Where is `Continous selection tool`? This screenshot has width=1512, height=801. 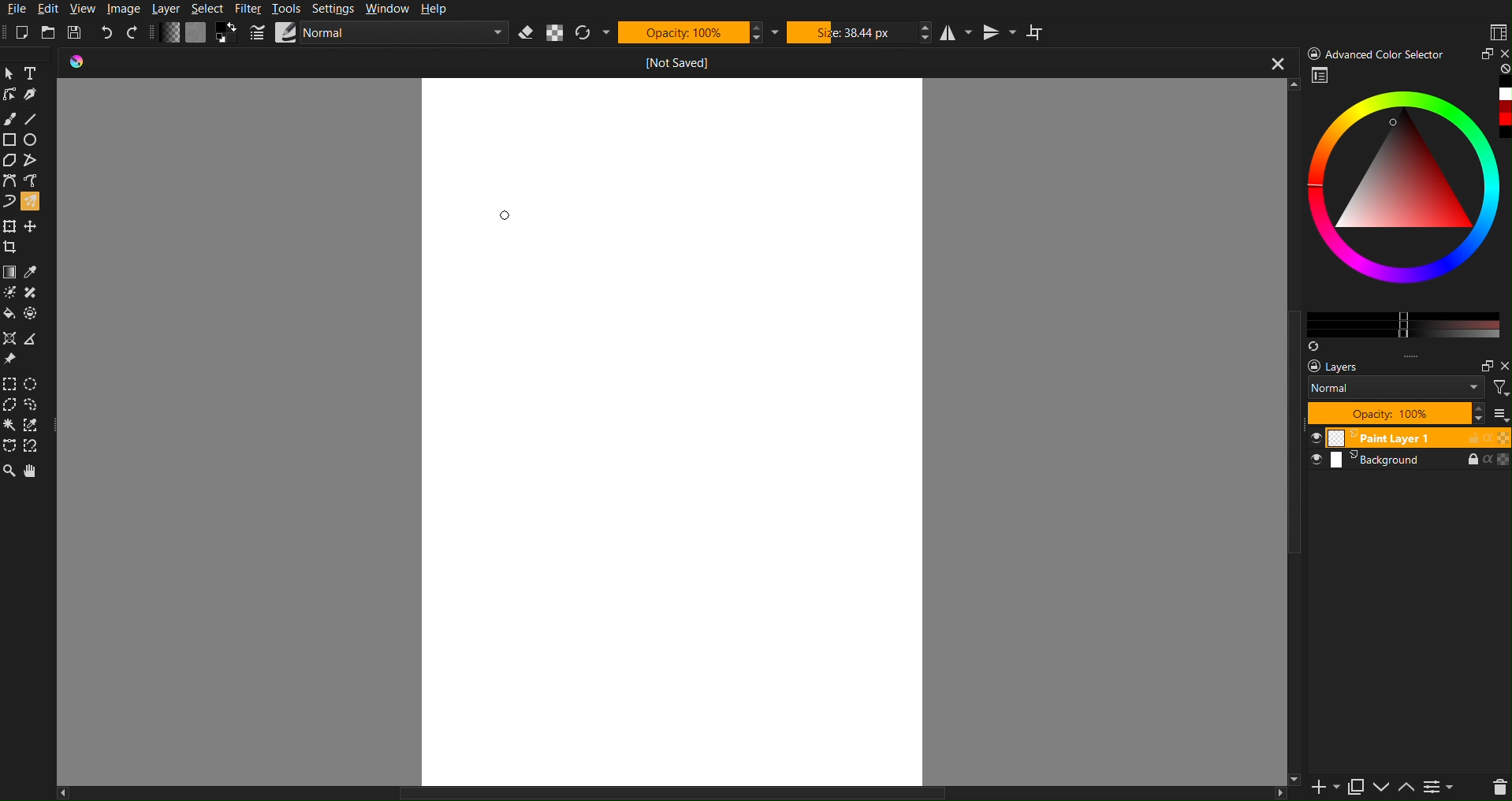
Continous selection tool is located at coordinates (10, 425).